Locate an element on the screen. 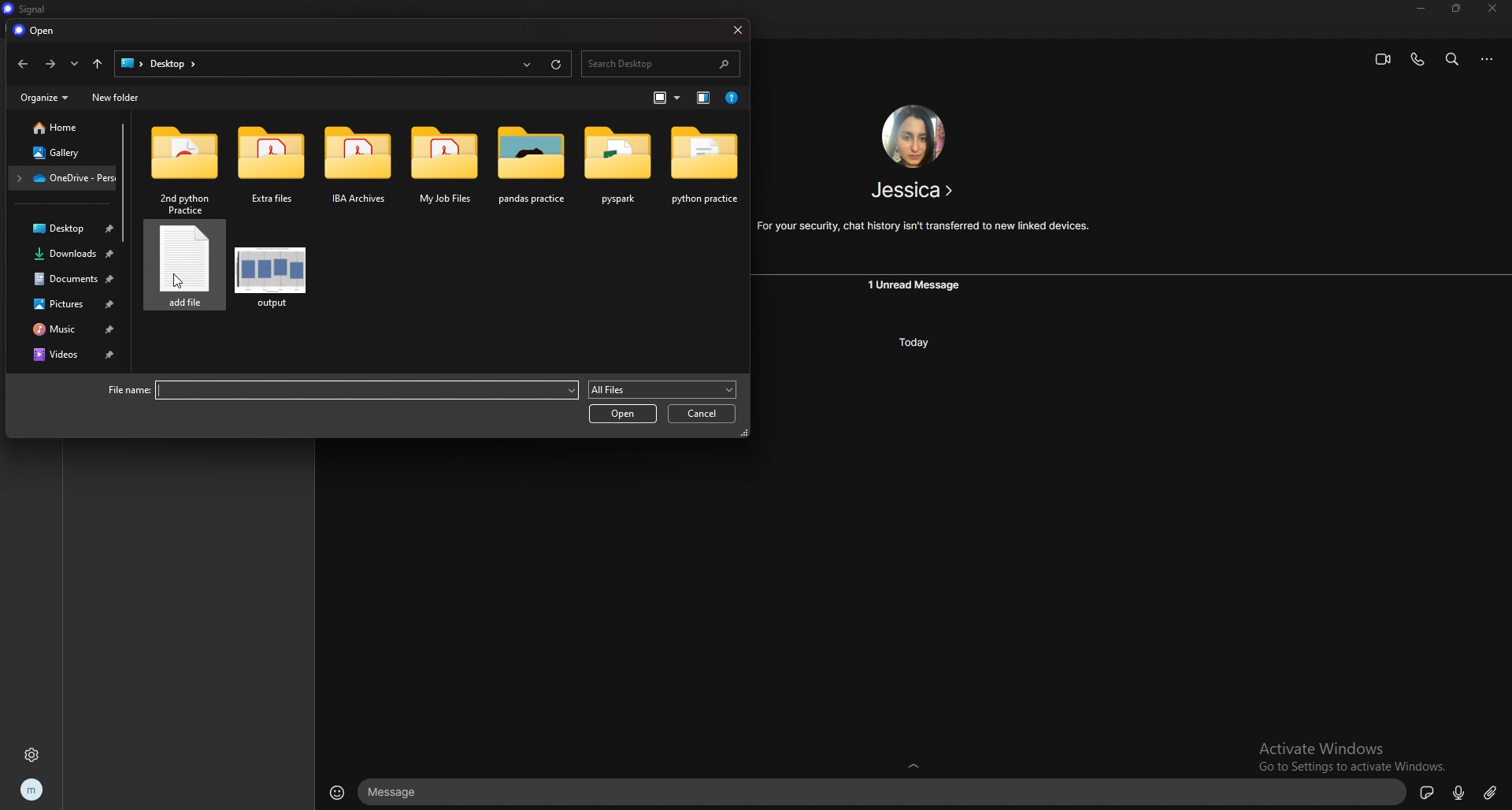  friend image is located at coordinates (912, 137).